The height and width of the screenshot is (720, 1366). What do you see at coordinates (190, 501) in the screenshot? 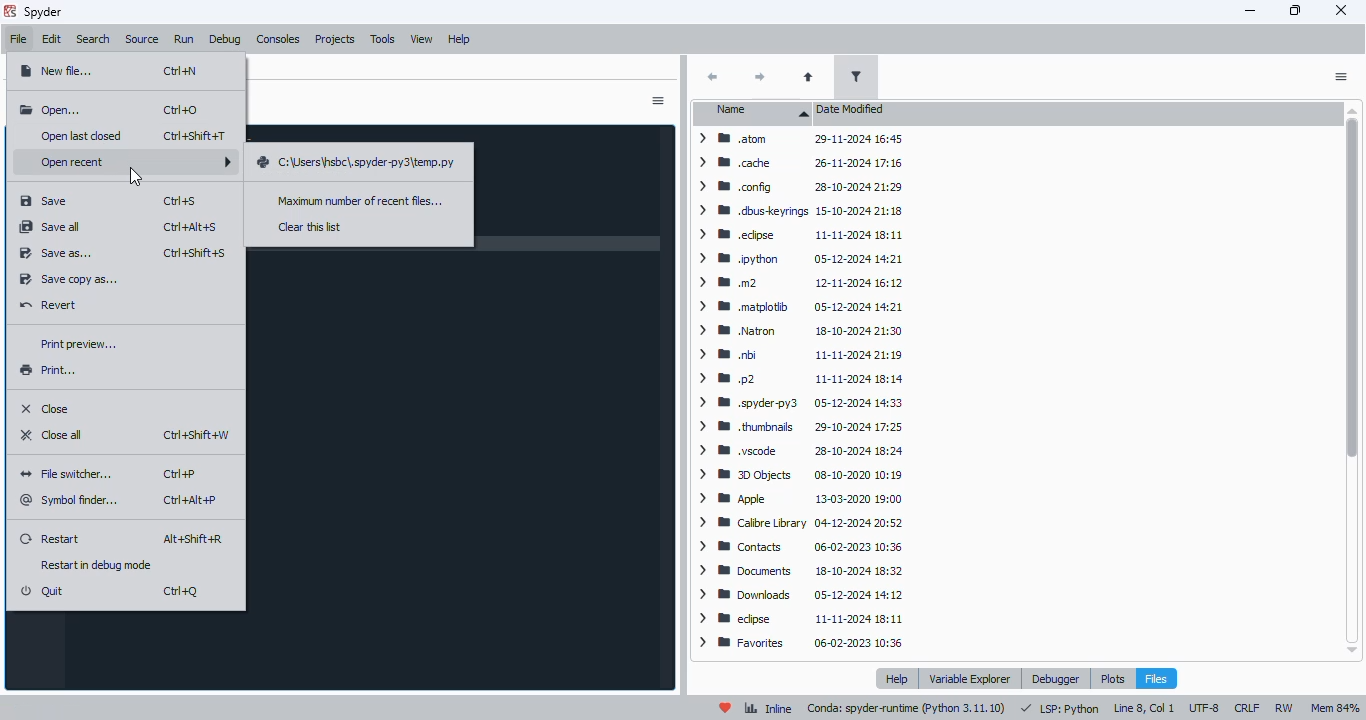
I see `shortcut for symbol finder` at bounding box center [190, 501].